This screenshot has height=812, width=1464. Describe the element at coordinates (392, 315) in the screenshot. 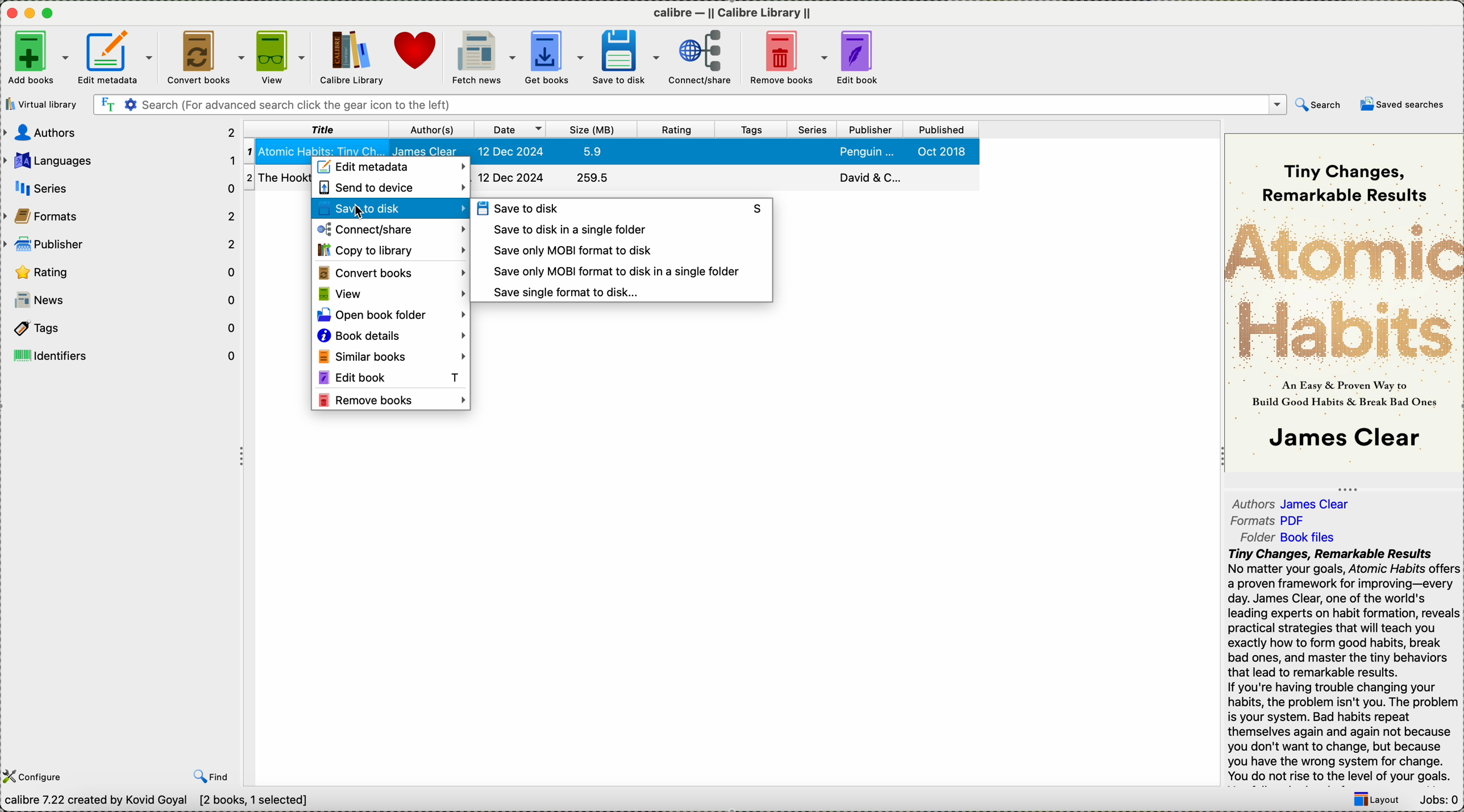

I see `open book folder` at that location.